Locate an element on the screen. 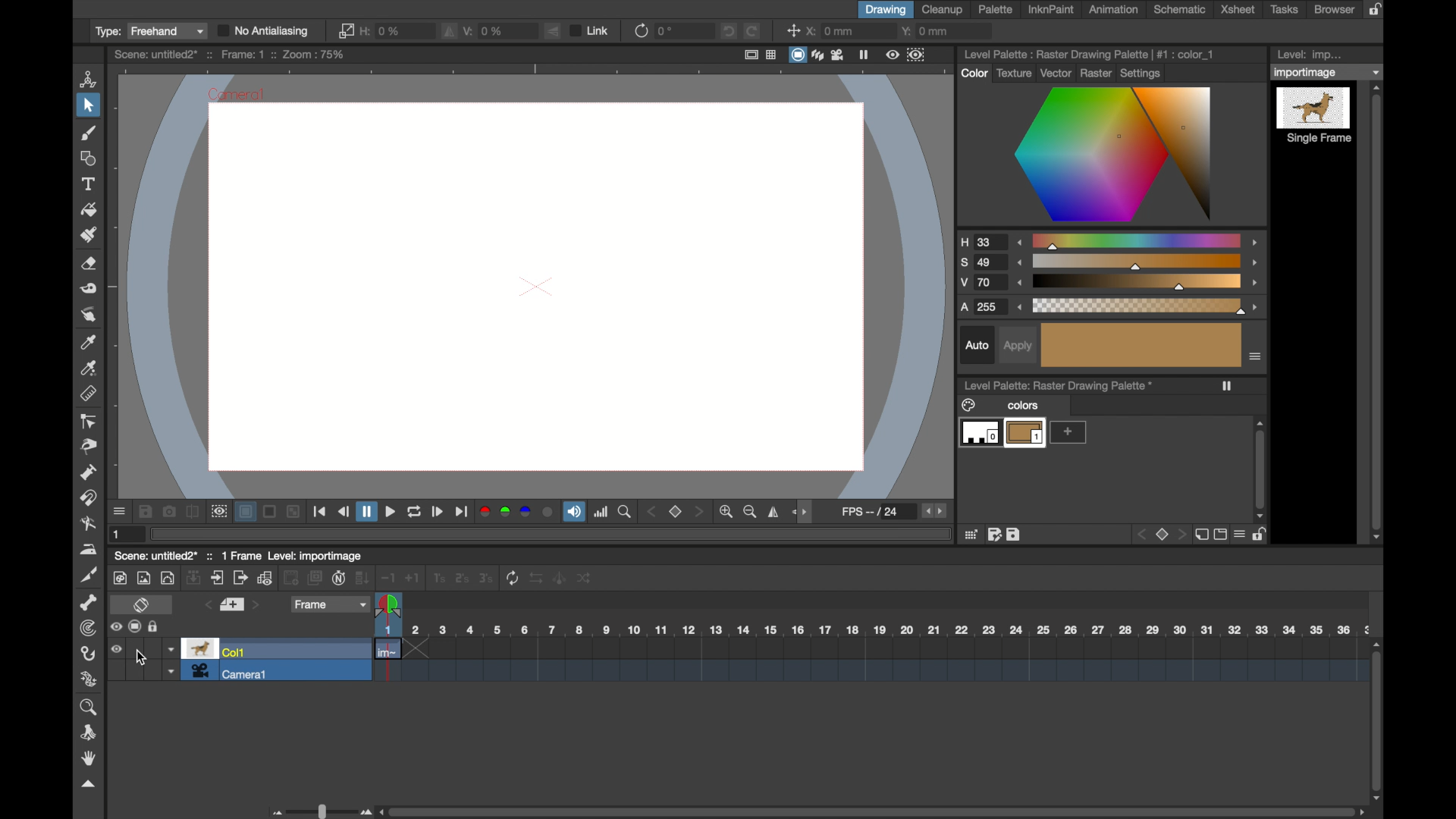 The width and height of the screenshot is (1456, 819). v is located at coordinates (486, 30).